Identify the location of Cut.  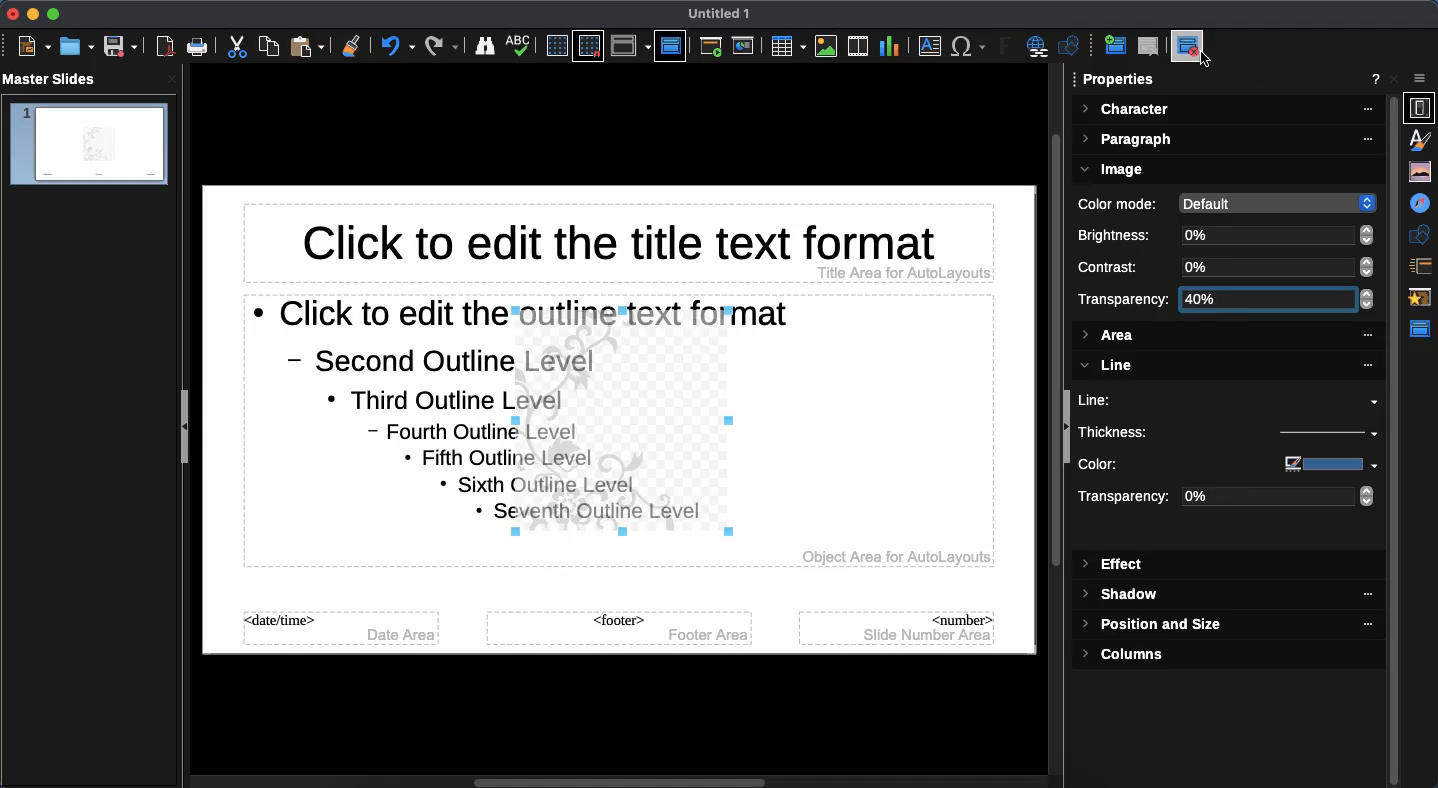
(240, 47).